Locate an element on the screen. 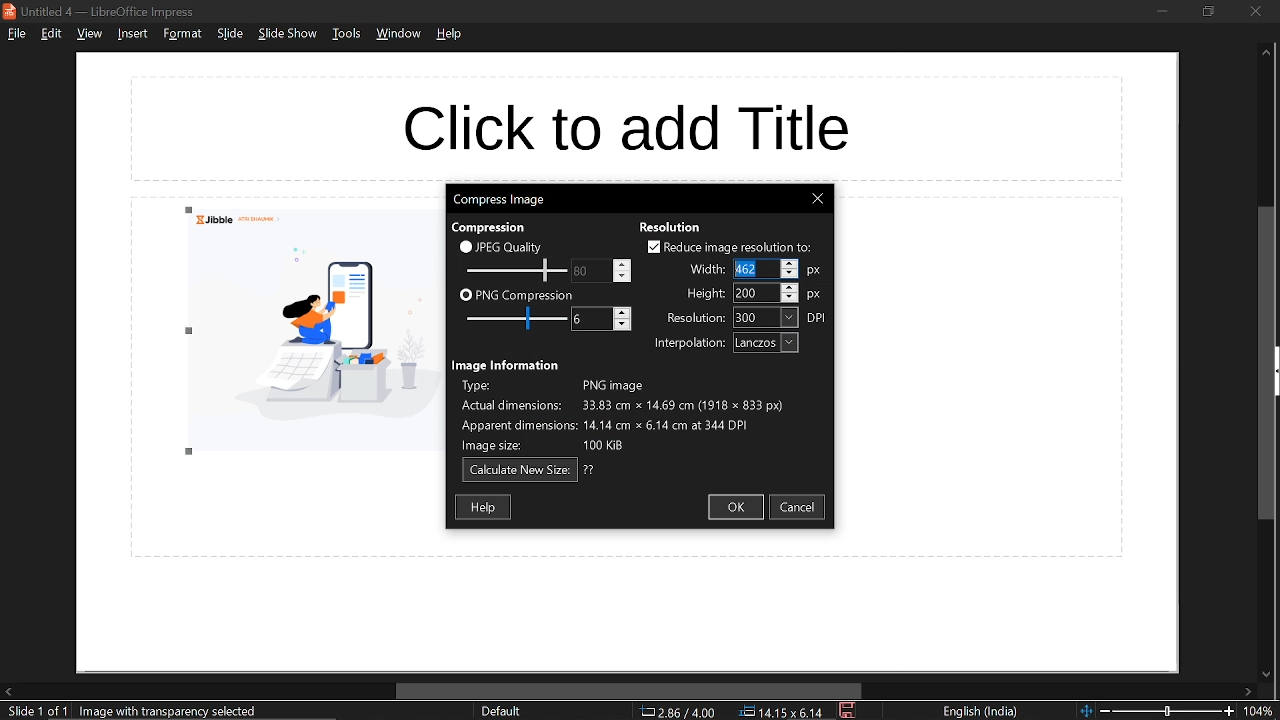 The image size is (1280, 720). Change JPEG quality  is located at coordinates (516, 271).